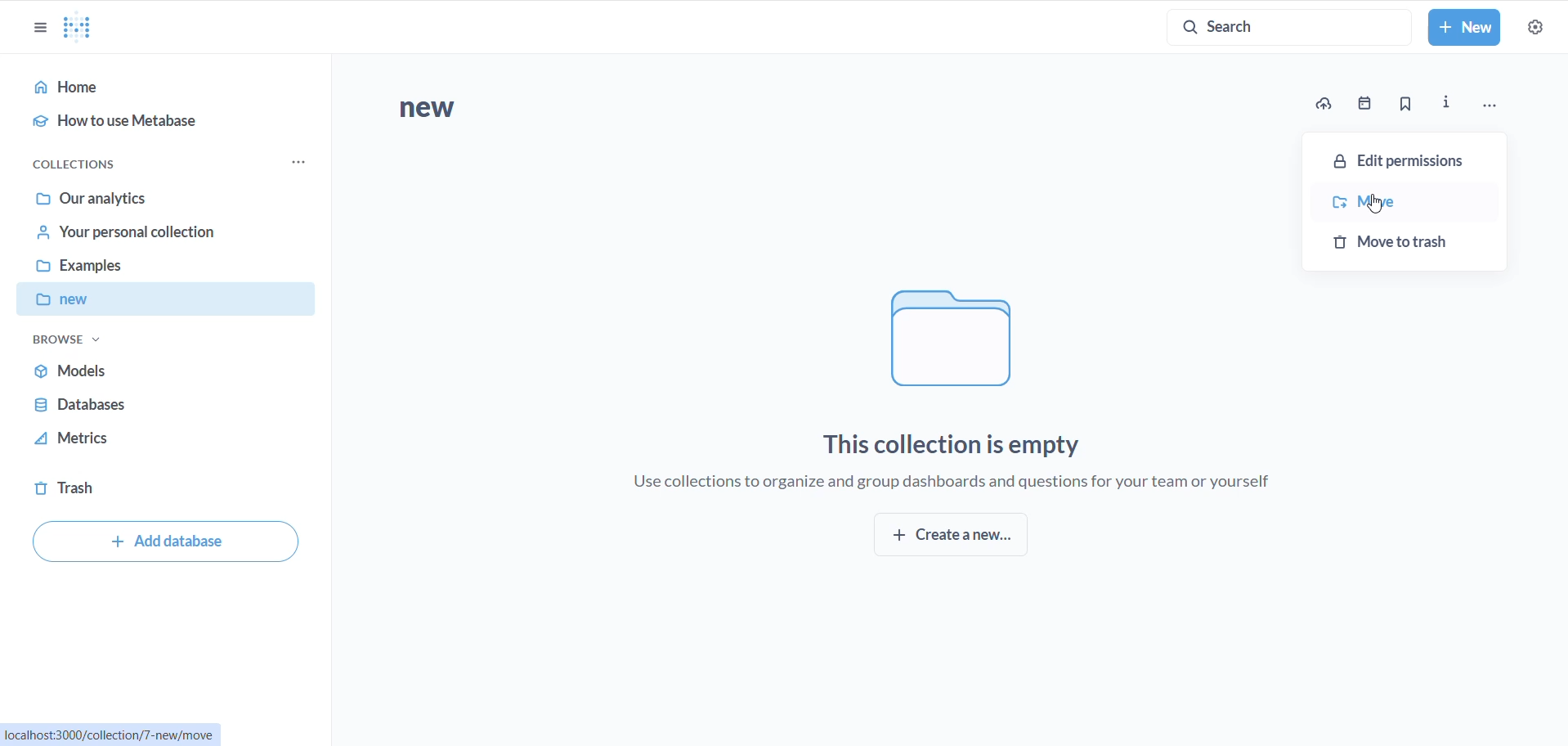 The height and width of the screenshot is (746, 1568). What do you see at coordinates (970, 458) in the screenshot?
I see `This collection is empty
Use collections to organize and group dashboards and questions for your team or yourself` at bounding box center [970, 458].